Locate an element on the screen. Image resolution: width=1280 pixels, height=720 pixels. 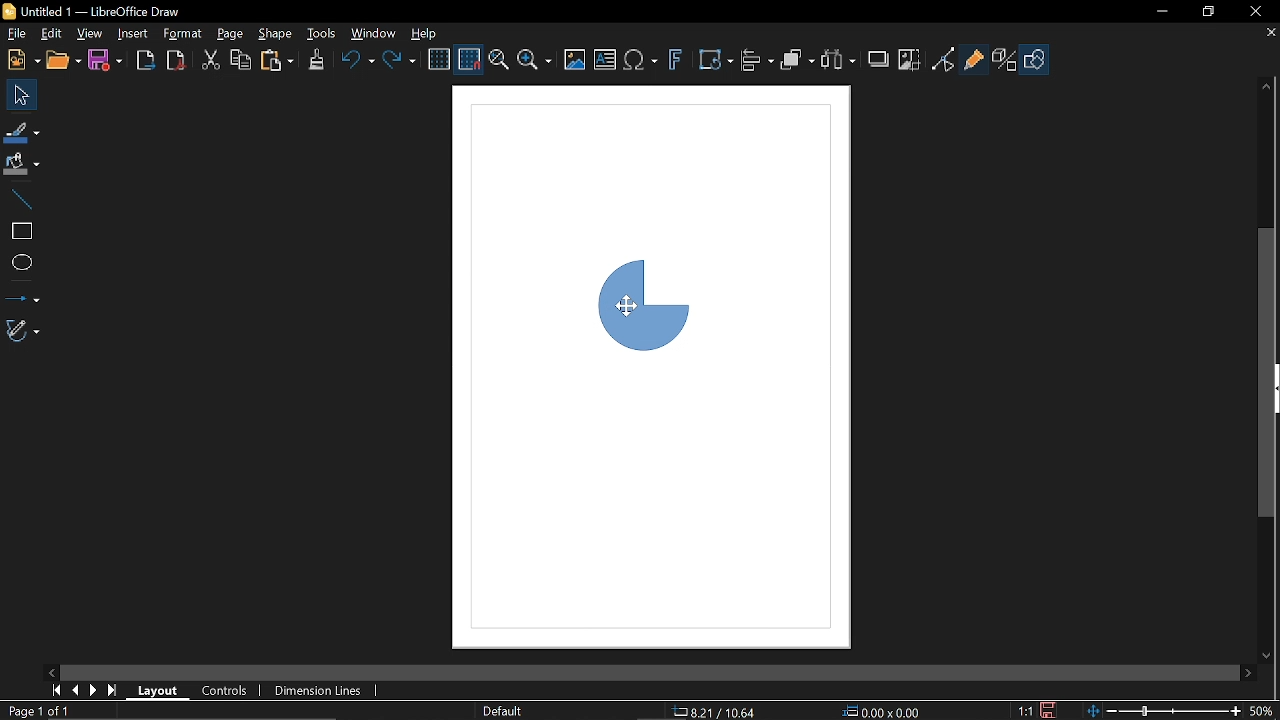
Close tab is located at coordinates (1270, 34).